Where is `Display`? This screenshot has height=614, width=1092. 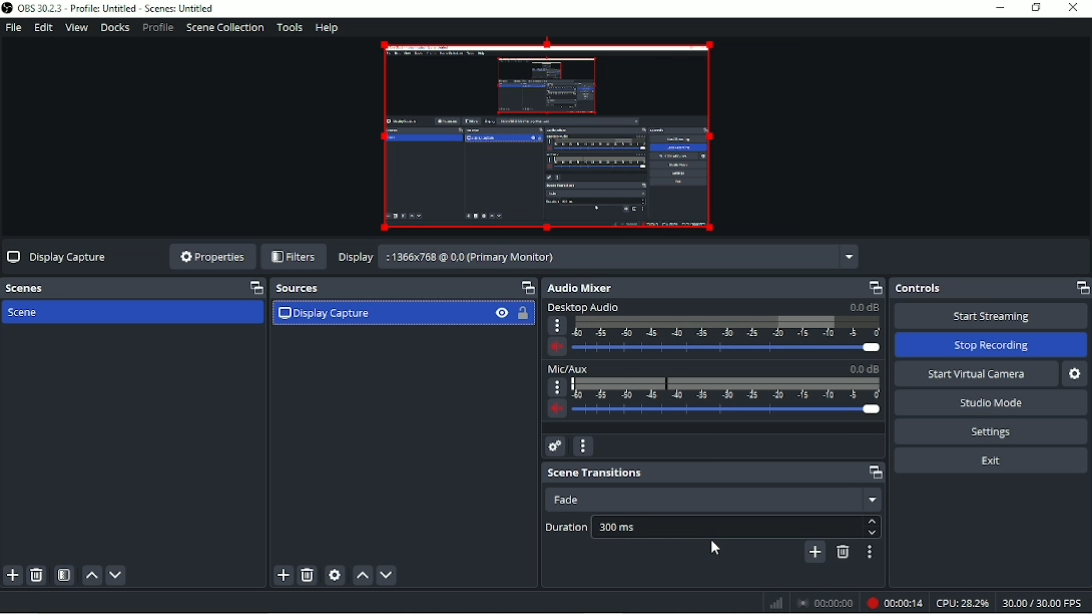
Display is located at coordinates (591, 257).